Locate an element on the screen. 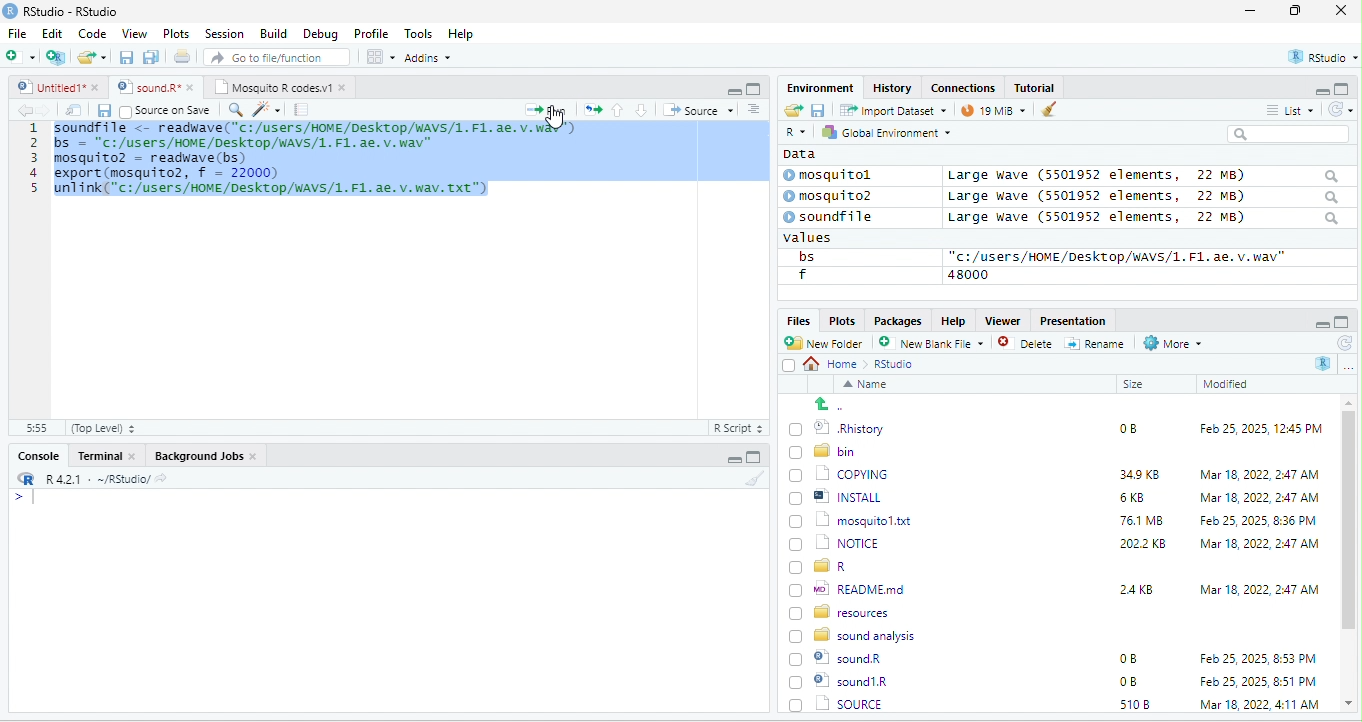  select is located at coordinates (791, 369).